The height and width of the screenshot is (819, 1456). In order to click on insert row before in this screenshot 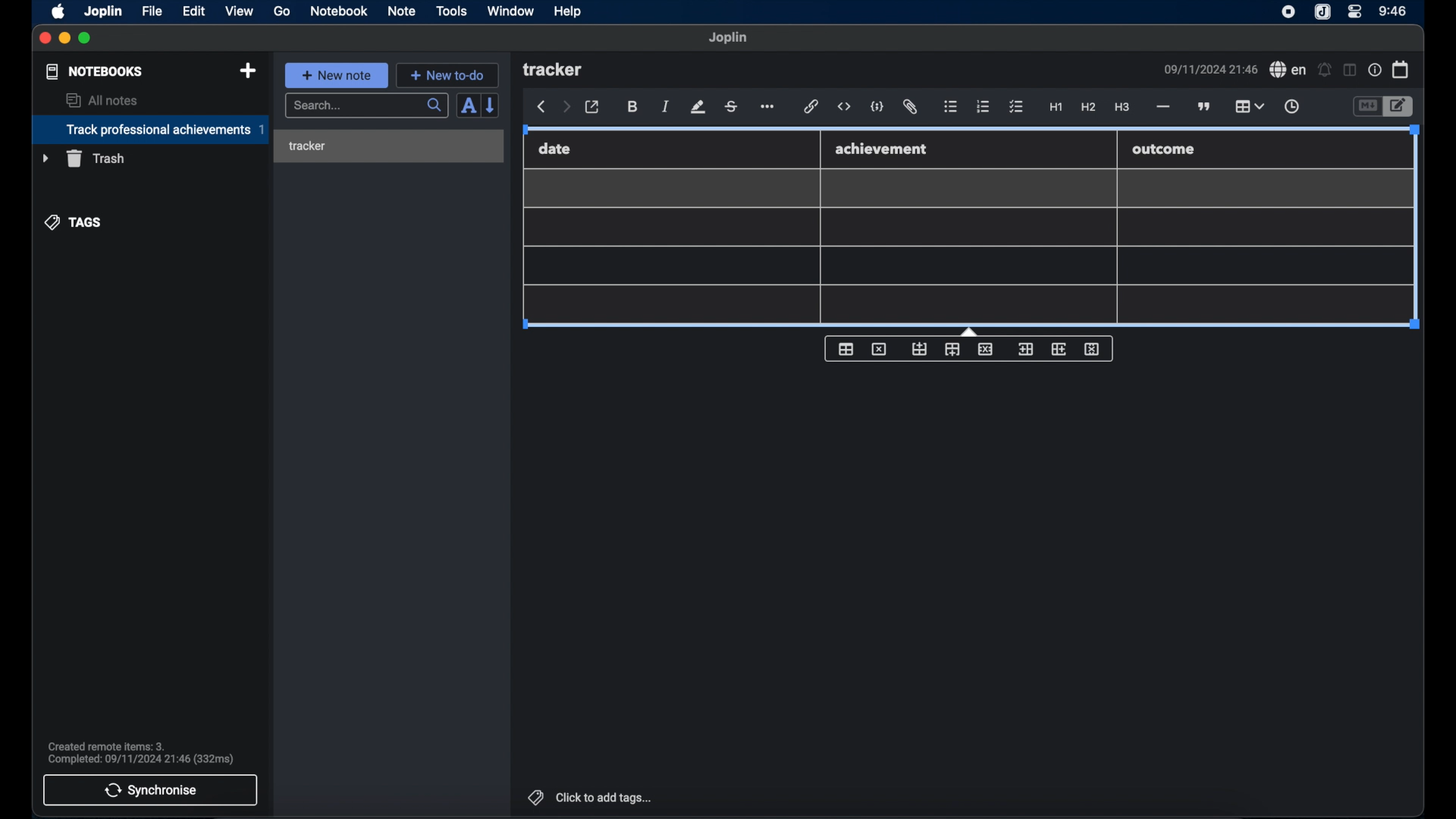, I will do `click(919, 349)`.